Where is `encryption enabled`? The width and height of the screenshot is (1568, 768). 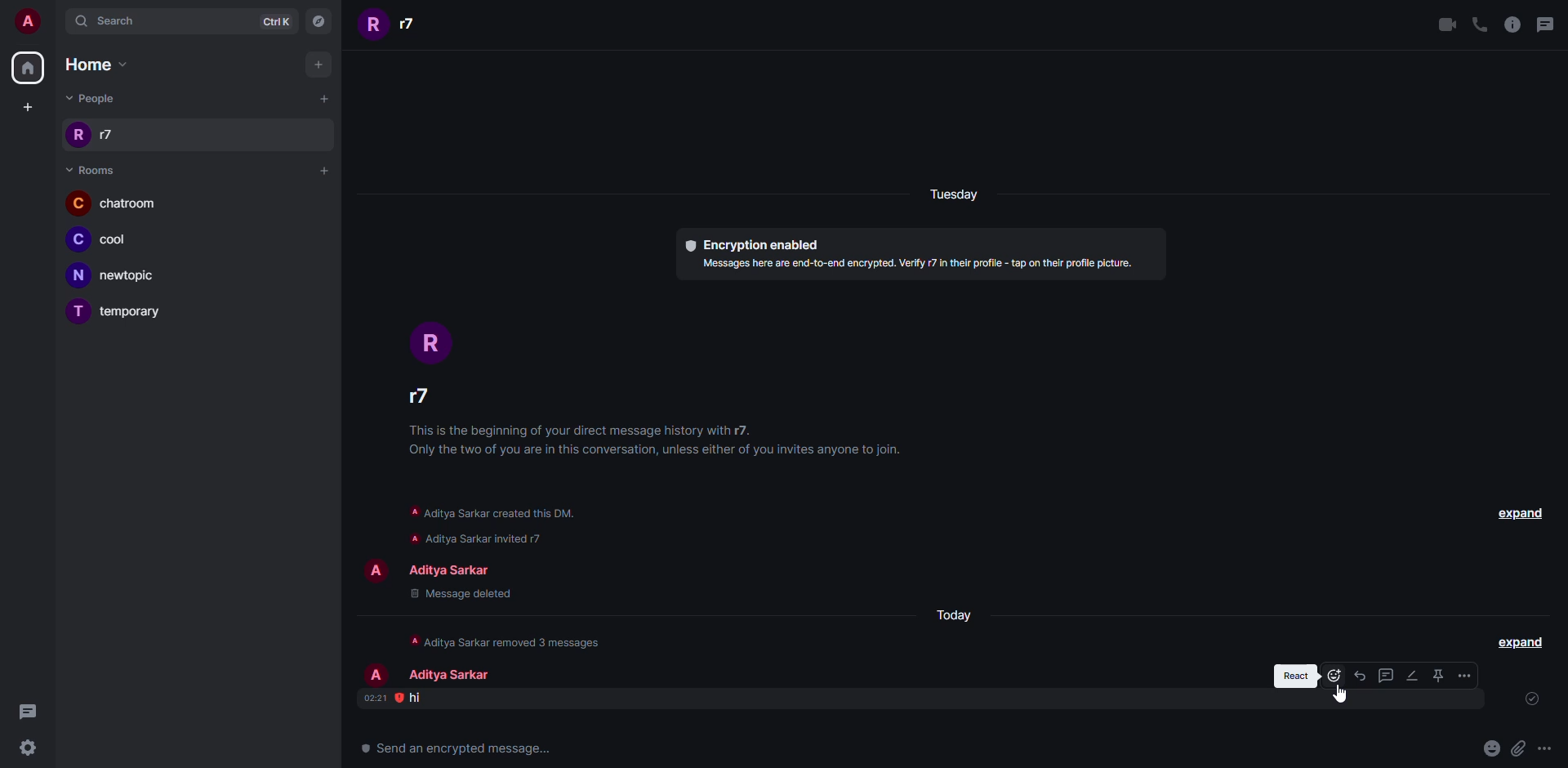 encryption enabled is located at coordinates (751, 243).